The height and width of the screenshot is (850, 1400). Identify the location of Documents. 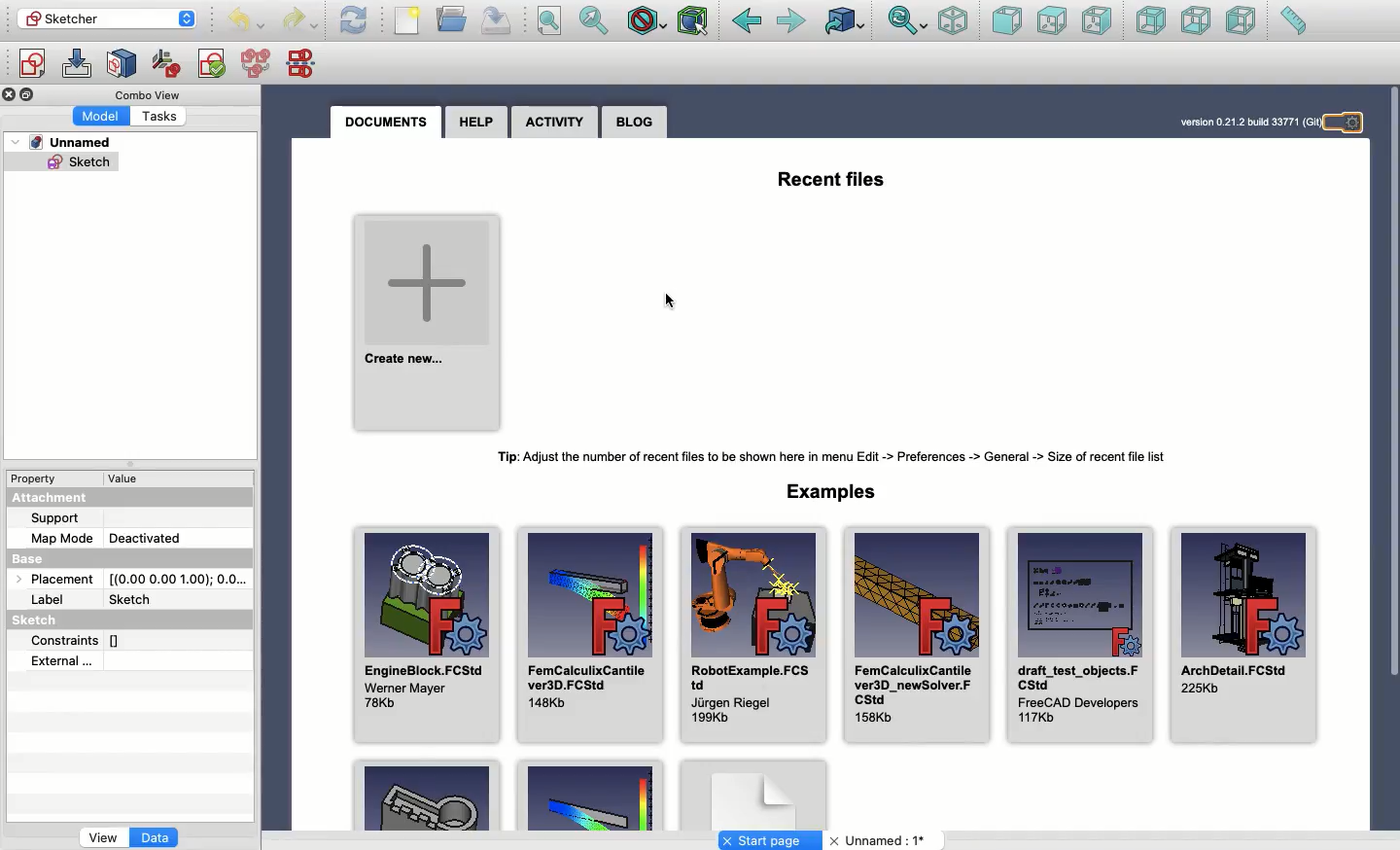
(384, 122).